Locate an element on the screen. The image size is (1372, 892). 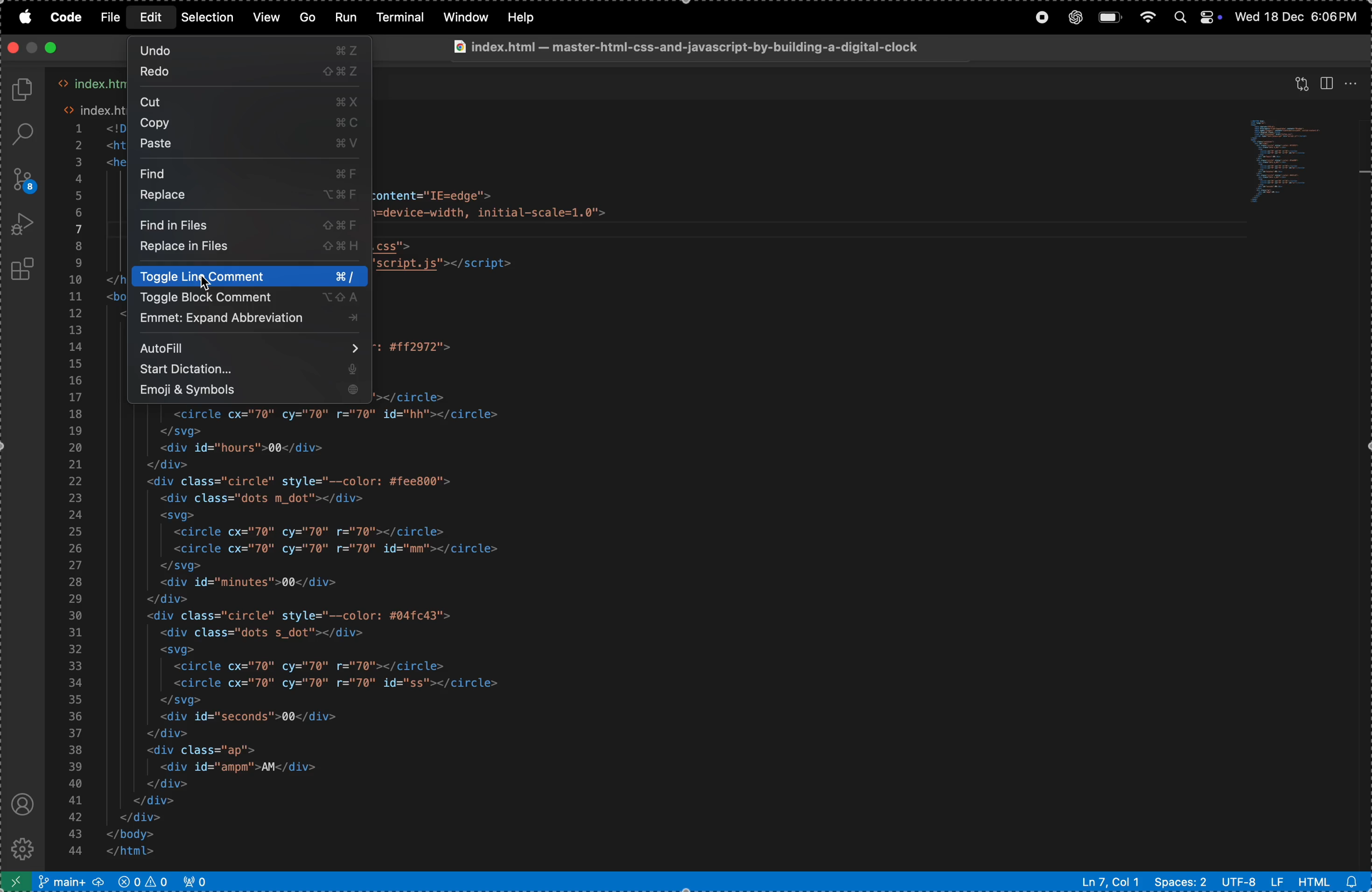
Wed 18 Dec 6:06 PM is located at coordinates (1296, 16).